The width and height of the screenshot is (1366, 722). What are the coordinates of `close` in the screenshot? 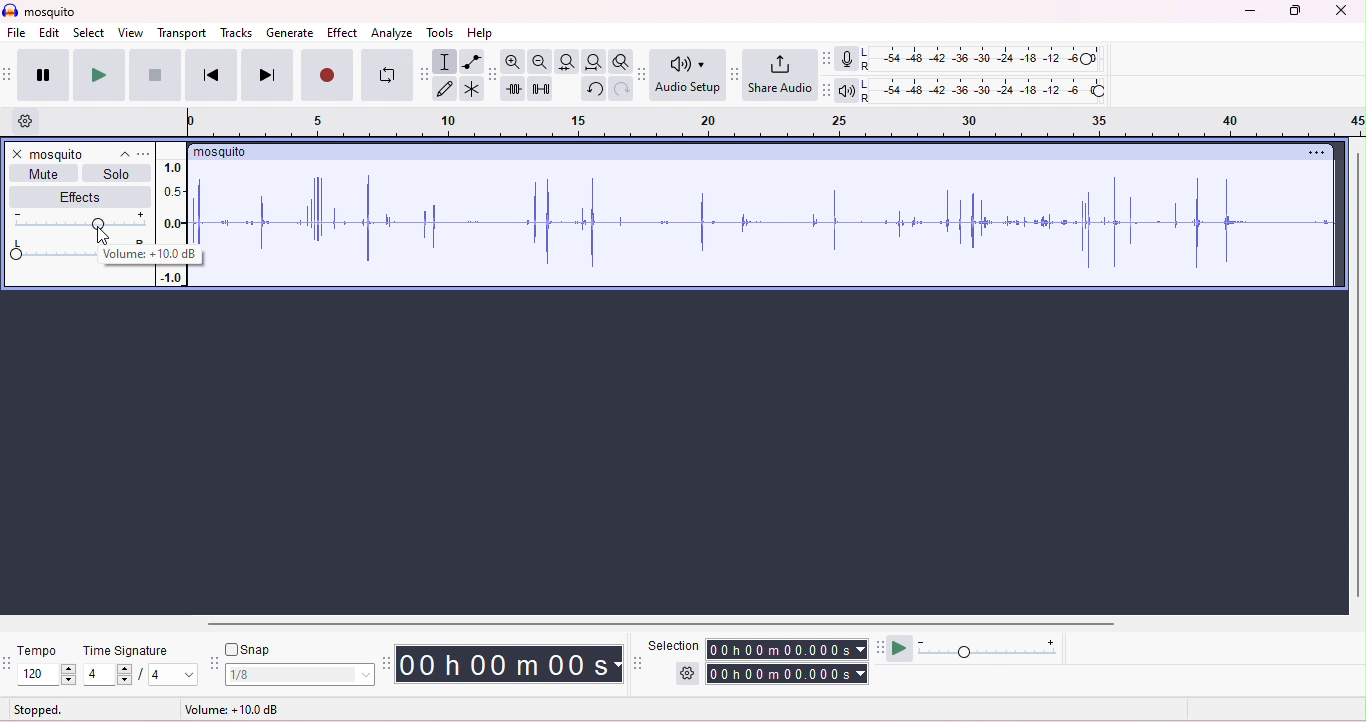 It's located at (17, 153).